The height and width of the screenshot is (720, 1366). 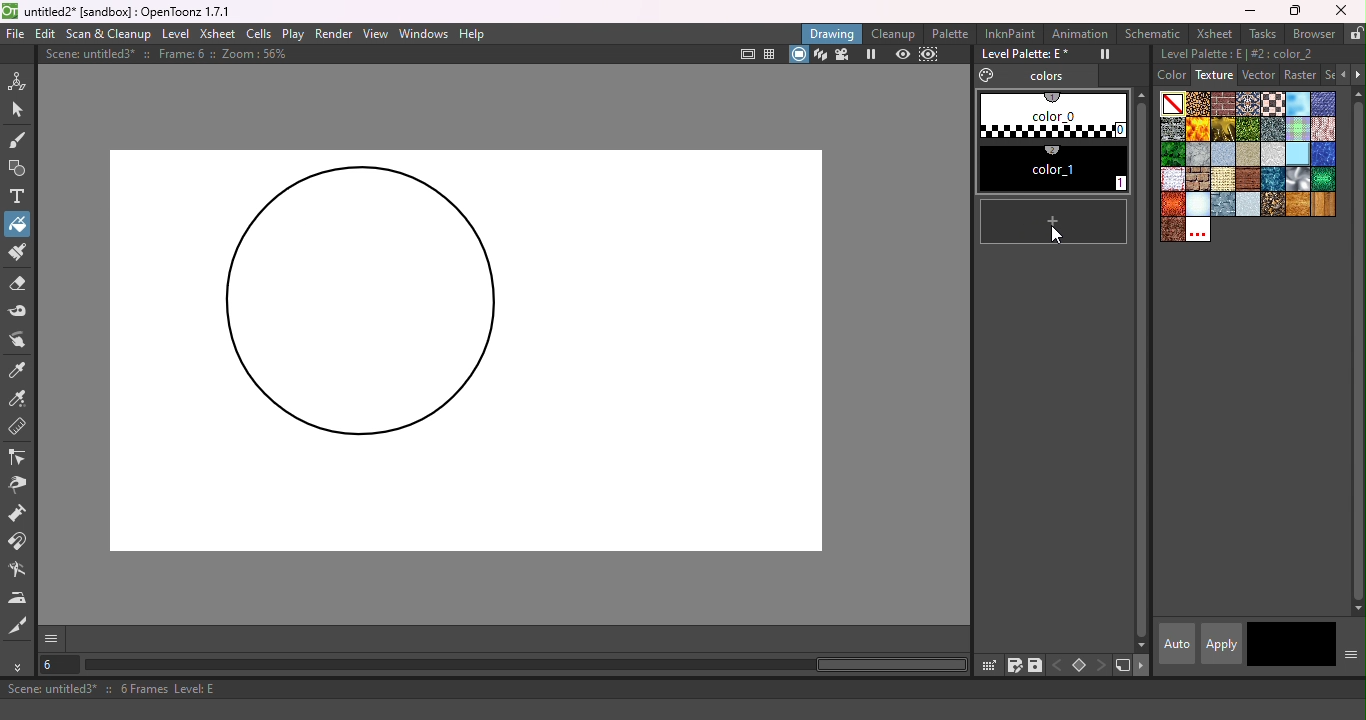 I want to click on snow.bmp, so click(x=1199, y=204).